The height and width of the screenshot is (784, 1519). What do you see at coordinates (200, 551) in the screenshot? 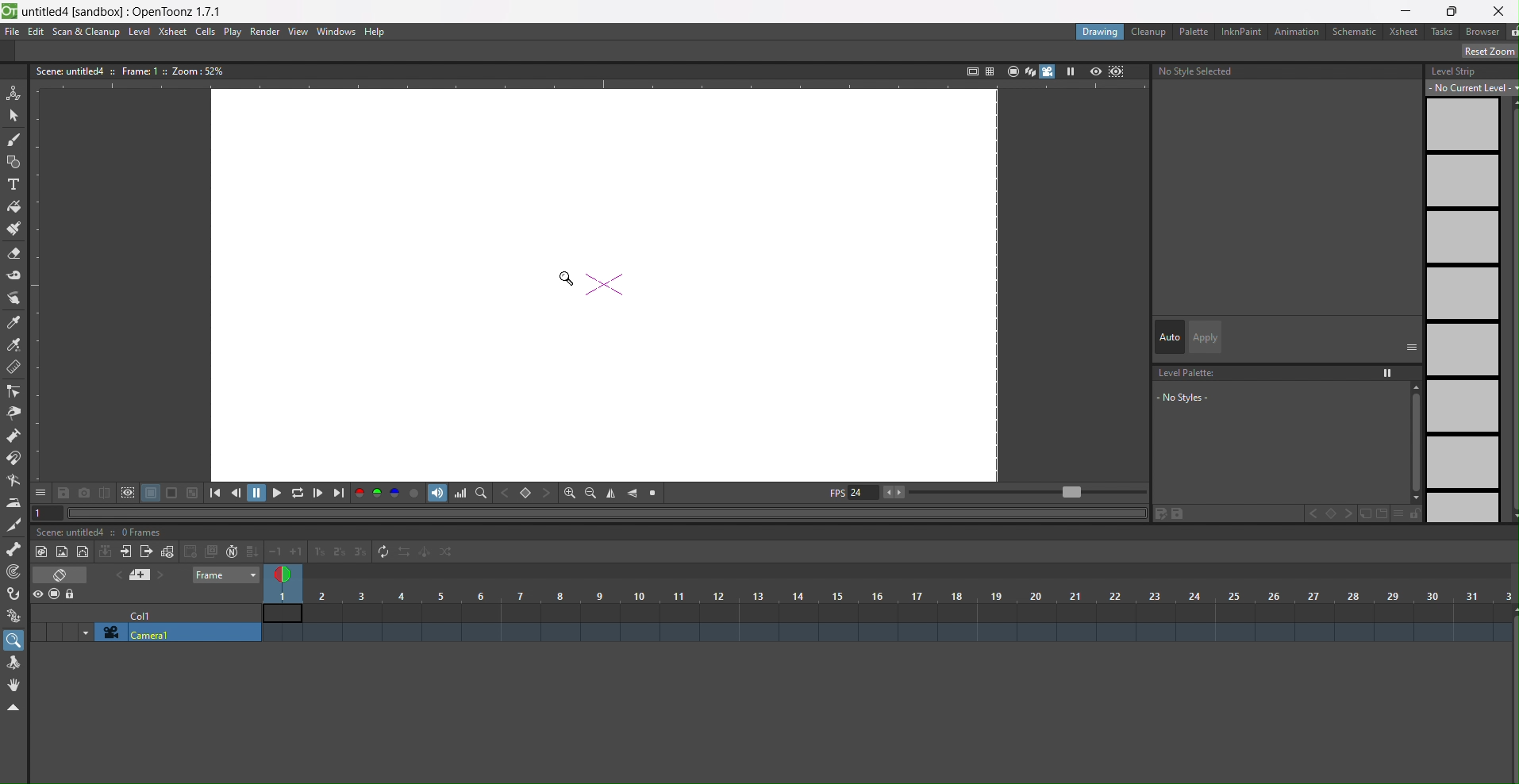
I see `icon` at bounding box center [200, 551].